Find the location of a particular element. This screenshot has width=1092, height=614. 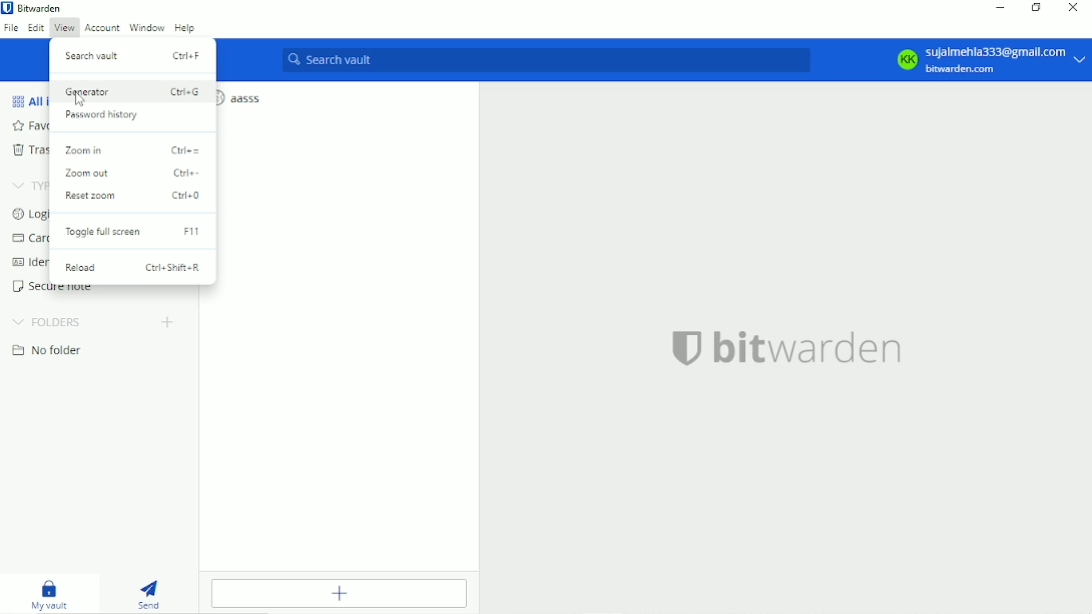

Edit is located at coordinates (36, 27).